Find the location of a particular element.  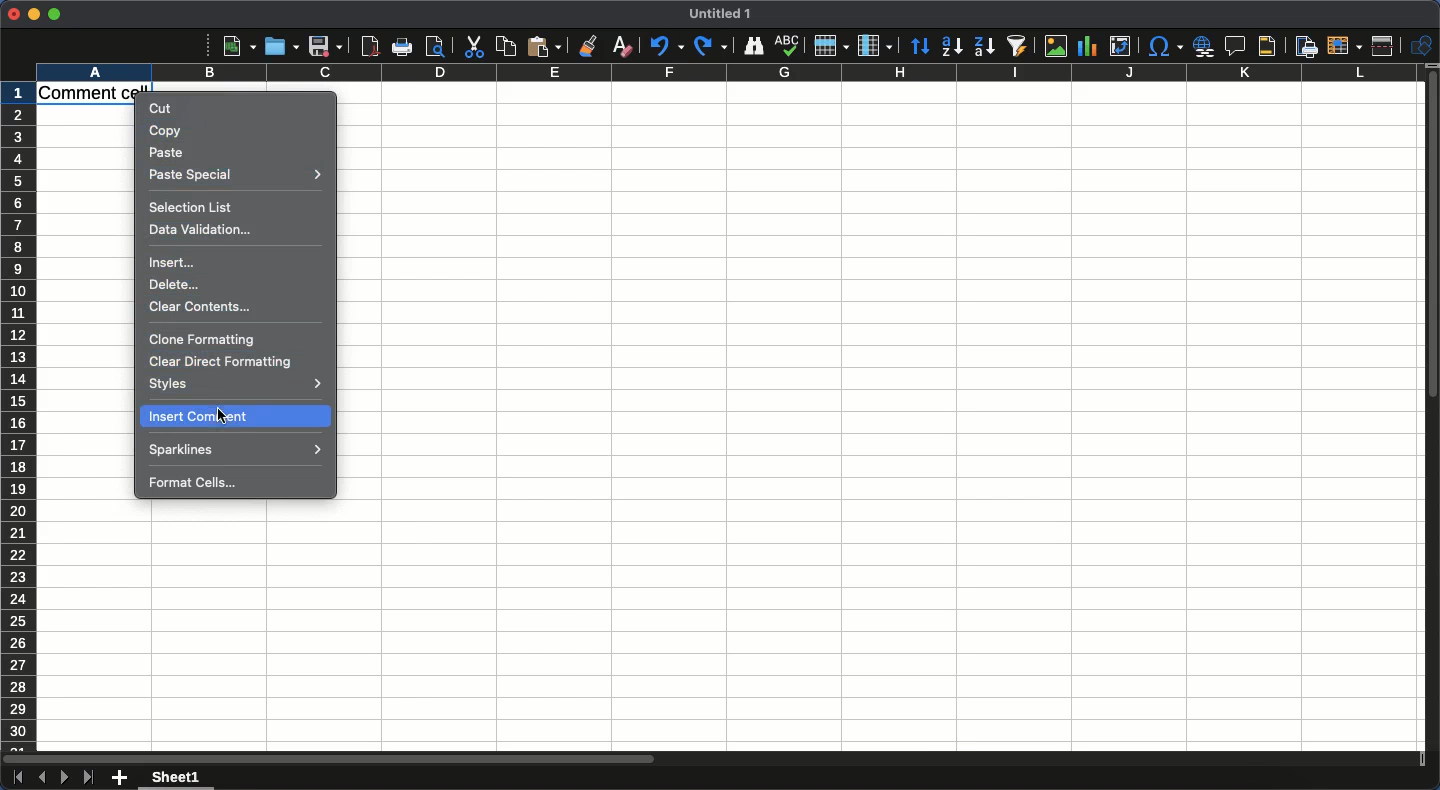

print preview is located at coordinates (437, 44).